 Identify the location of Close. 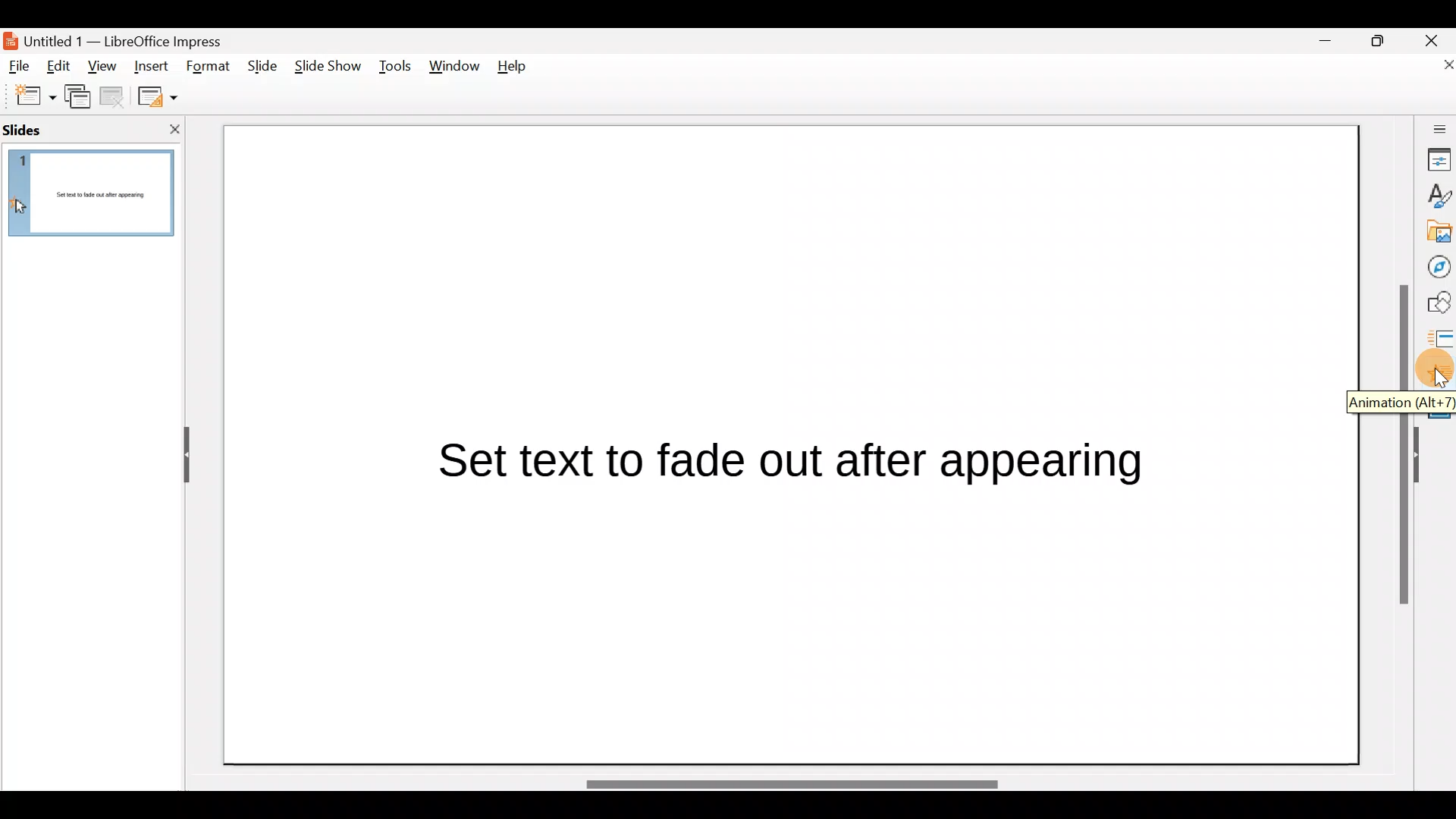
(1432, 39).